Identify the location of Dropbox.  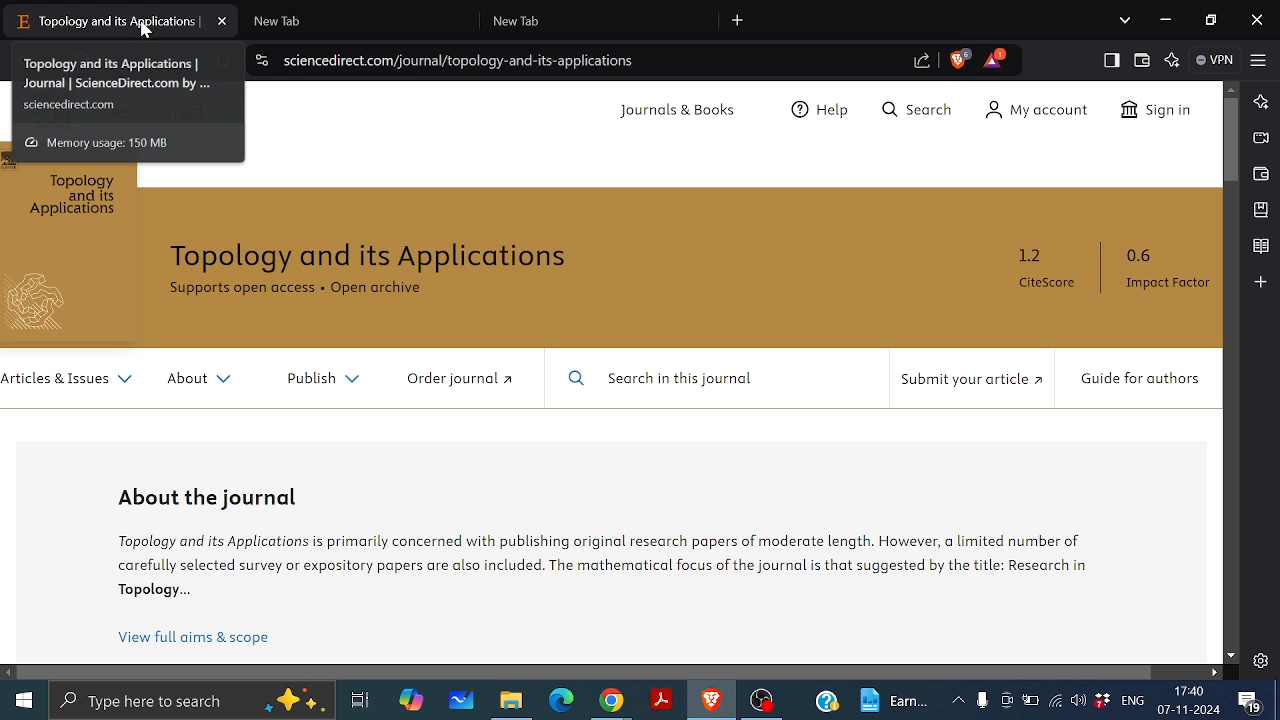
(1101, 701).